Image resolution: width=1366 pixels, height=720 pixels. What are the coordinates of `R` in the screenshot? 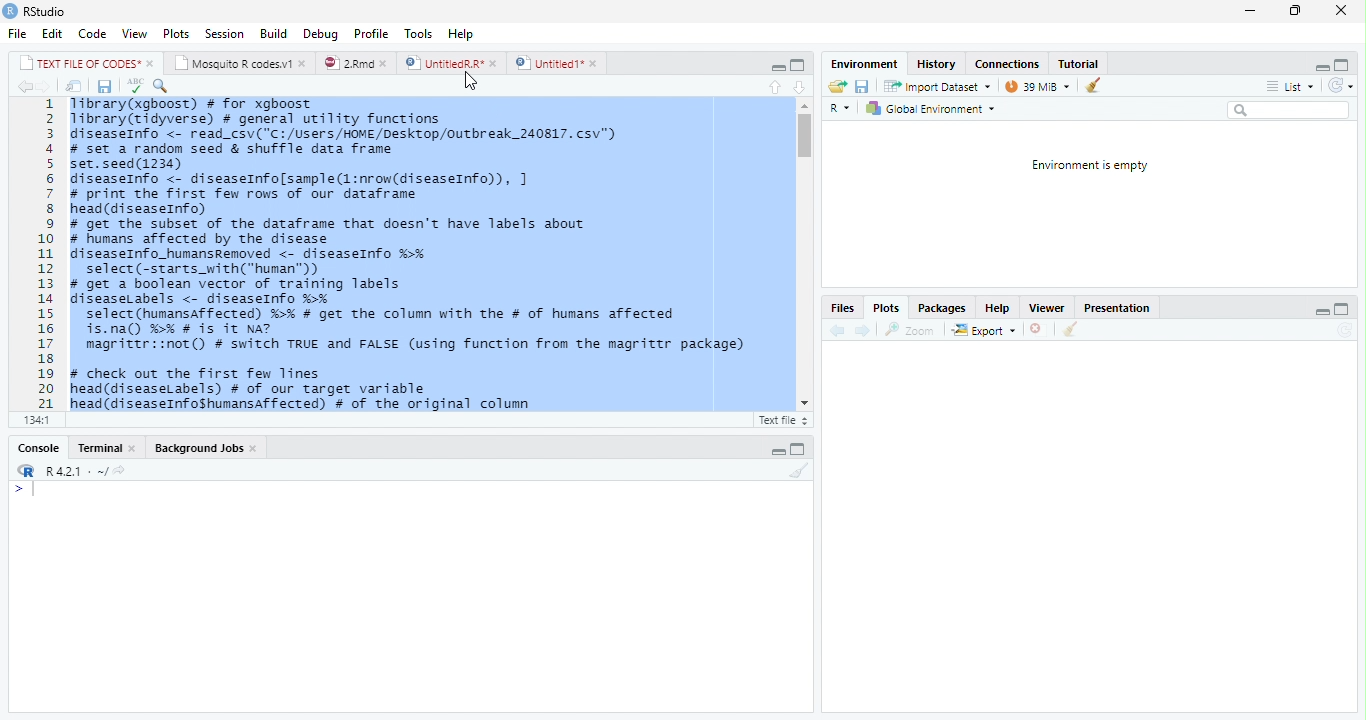 It's located at (840, 106).